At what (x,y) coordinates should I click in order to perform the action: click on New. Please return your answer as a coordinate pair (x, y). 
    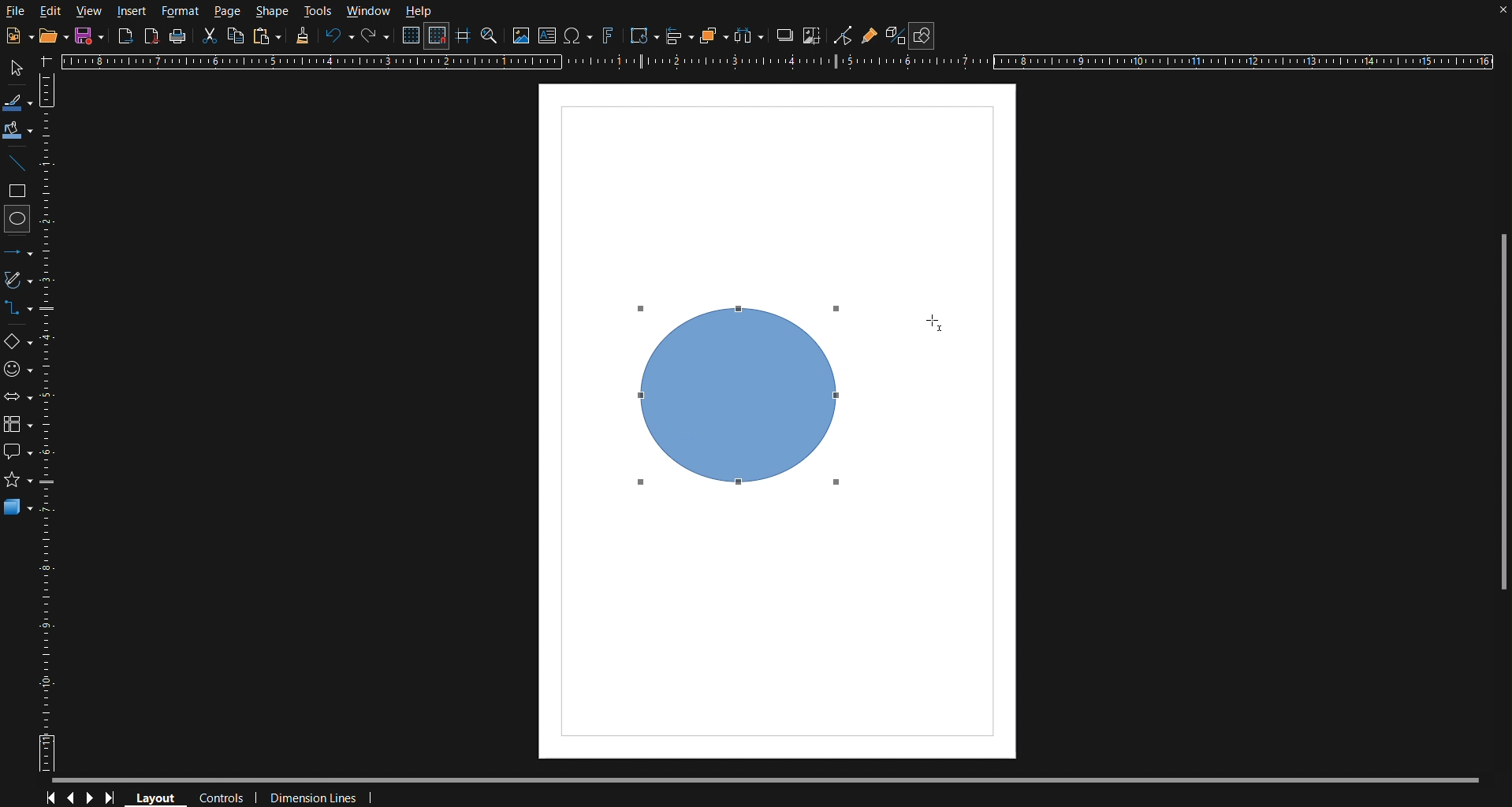
    Looking at the image, I should click on (87, 37).